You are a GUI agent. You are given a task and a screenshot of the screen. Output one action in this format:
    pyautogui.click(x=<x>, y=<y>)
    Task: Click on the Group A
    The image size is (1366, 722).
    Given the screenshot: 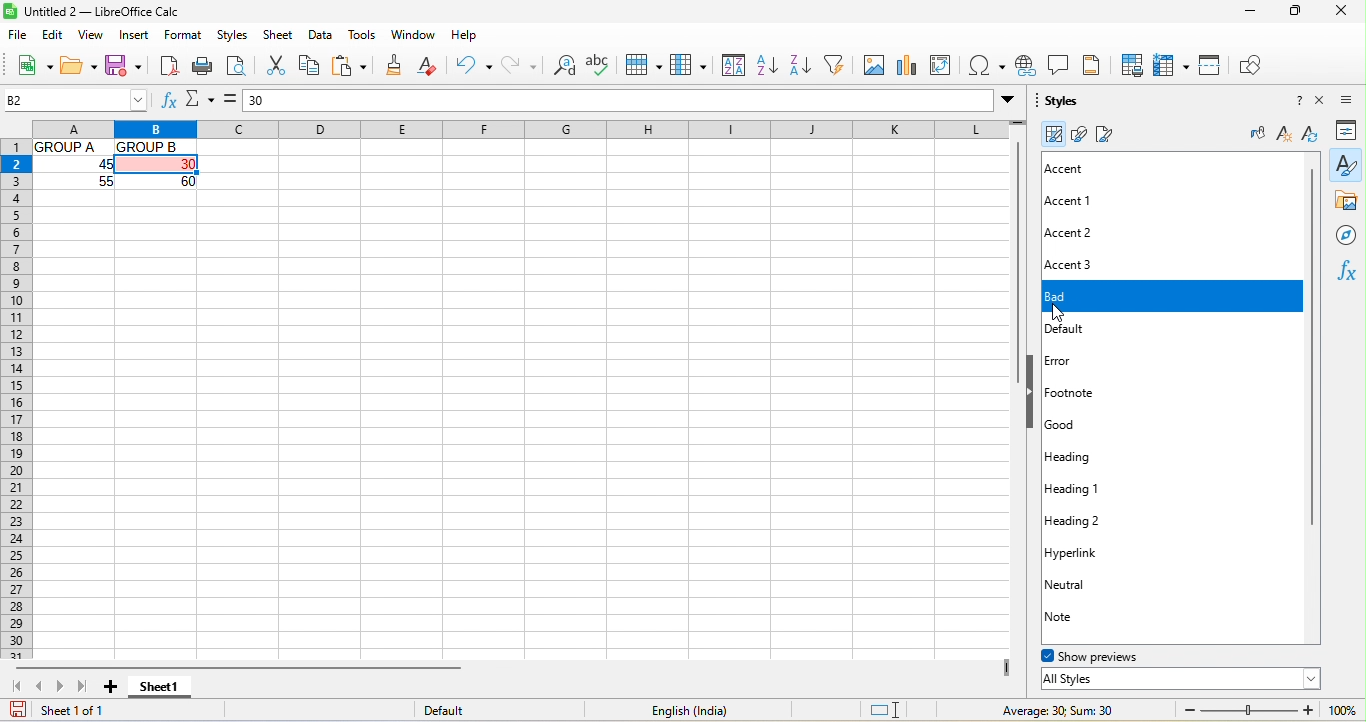 What is the action you would take?
    pyautogui.click(x=70, y=147)
    